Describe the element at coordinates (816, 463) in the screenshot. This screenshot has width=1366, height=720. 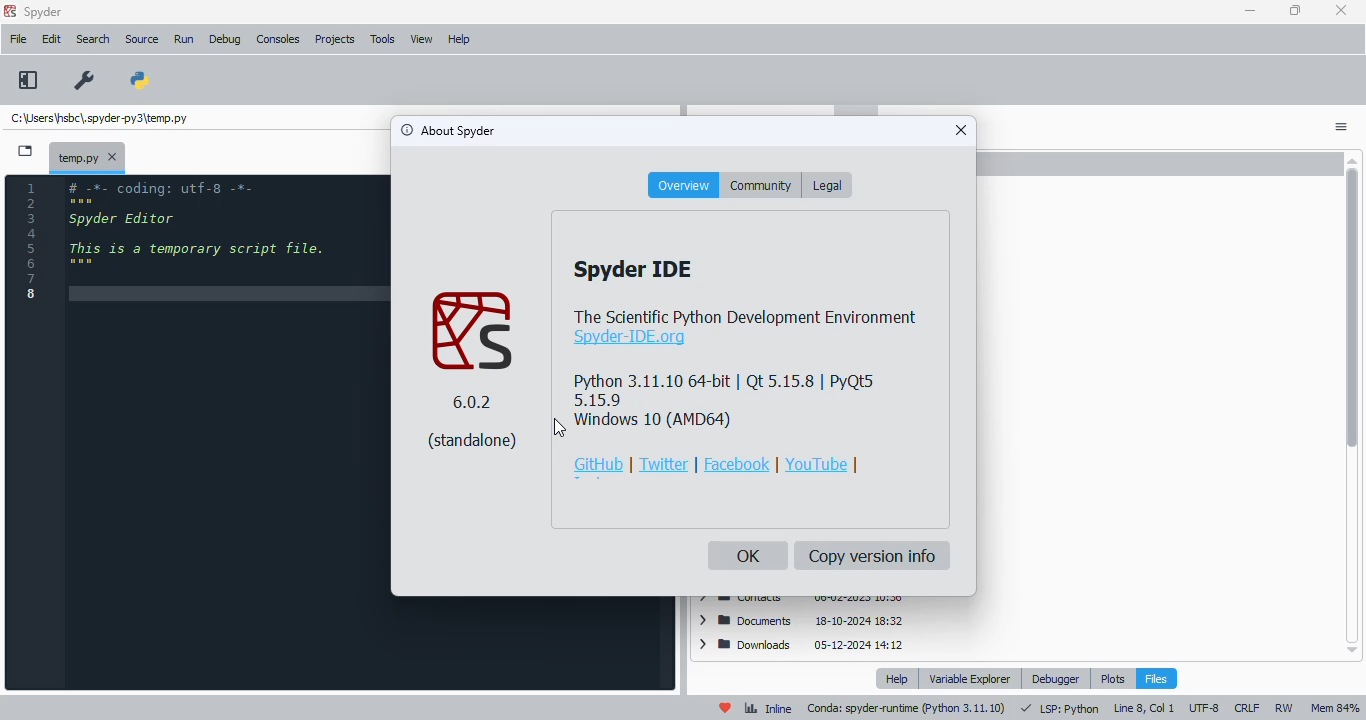
I see `YouTube` at that location.